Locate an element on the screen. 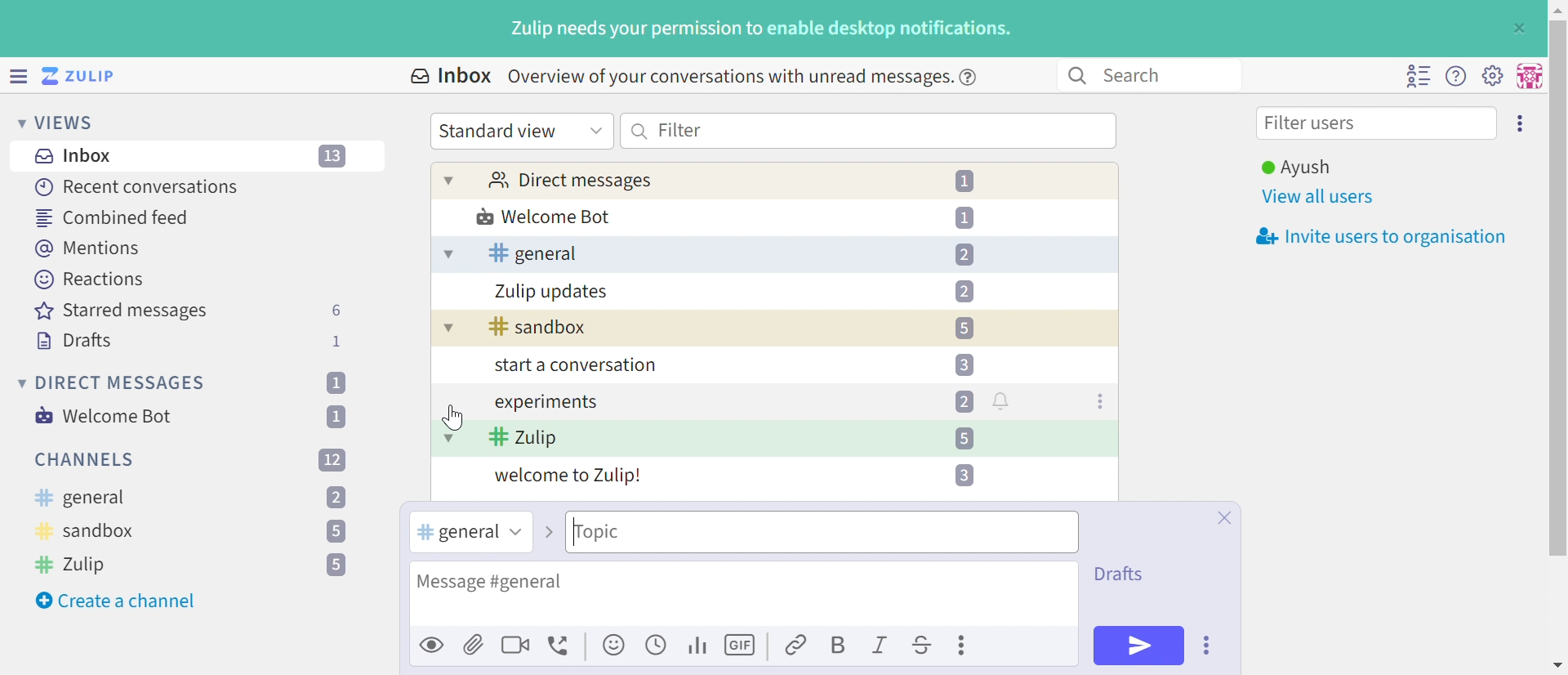 The width and height of the screenshot is (1568, 675). Close is located at coordinates (1223, 518).